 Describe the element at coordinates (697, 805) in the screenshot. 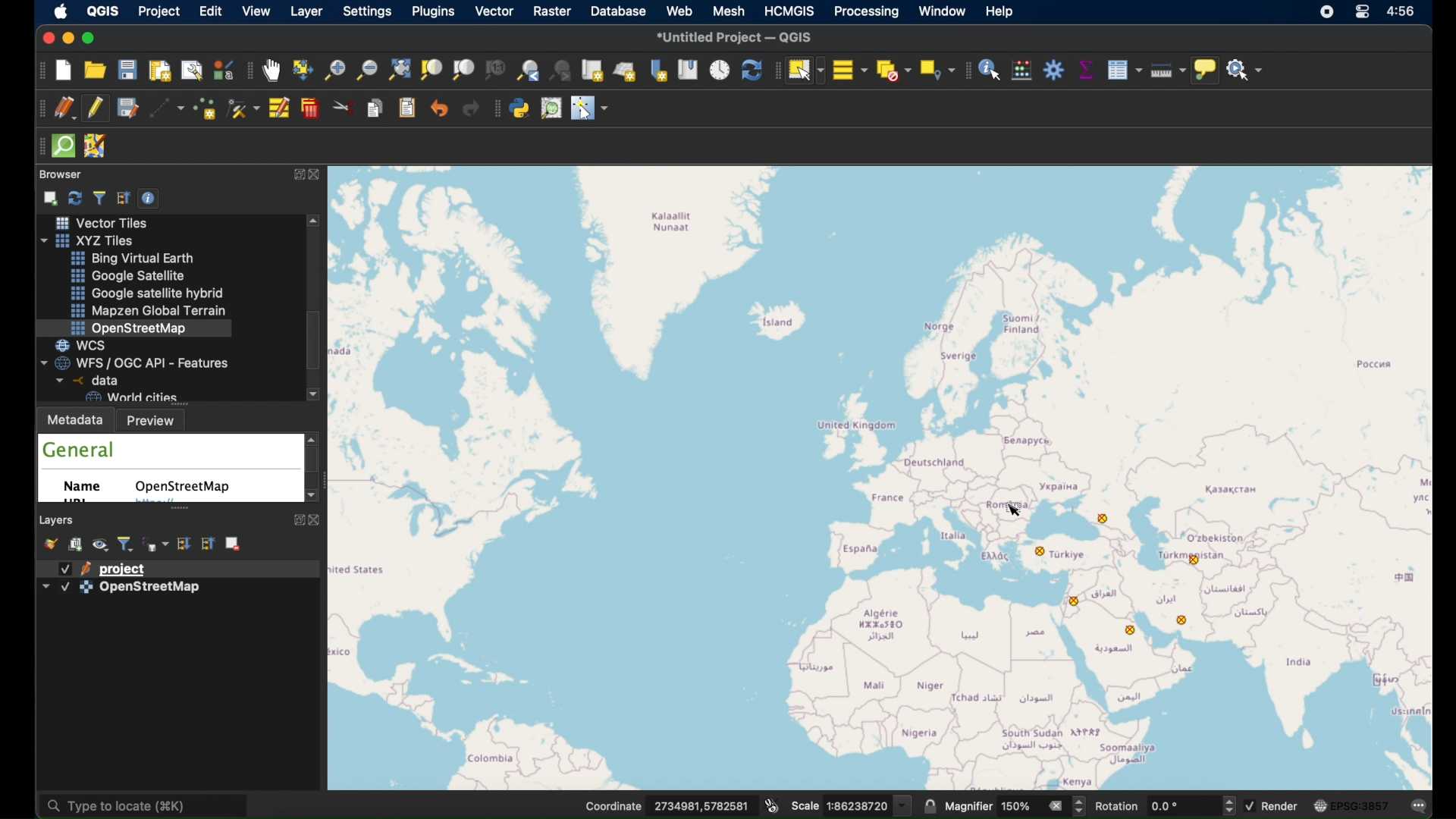

I see `coordinate` at that location.